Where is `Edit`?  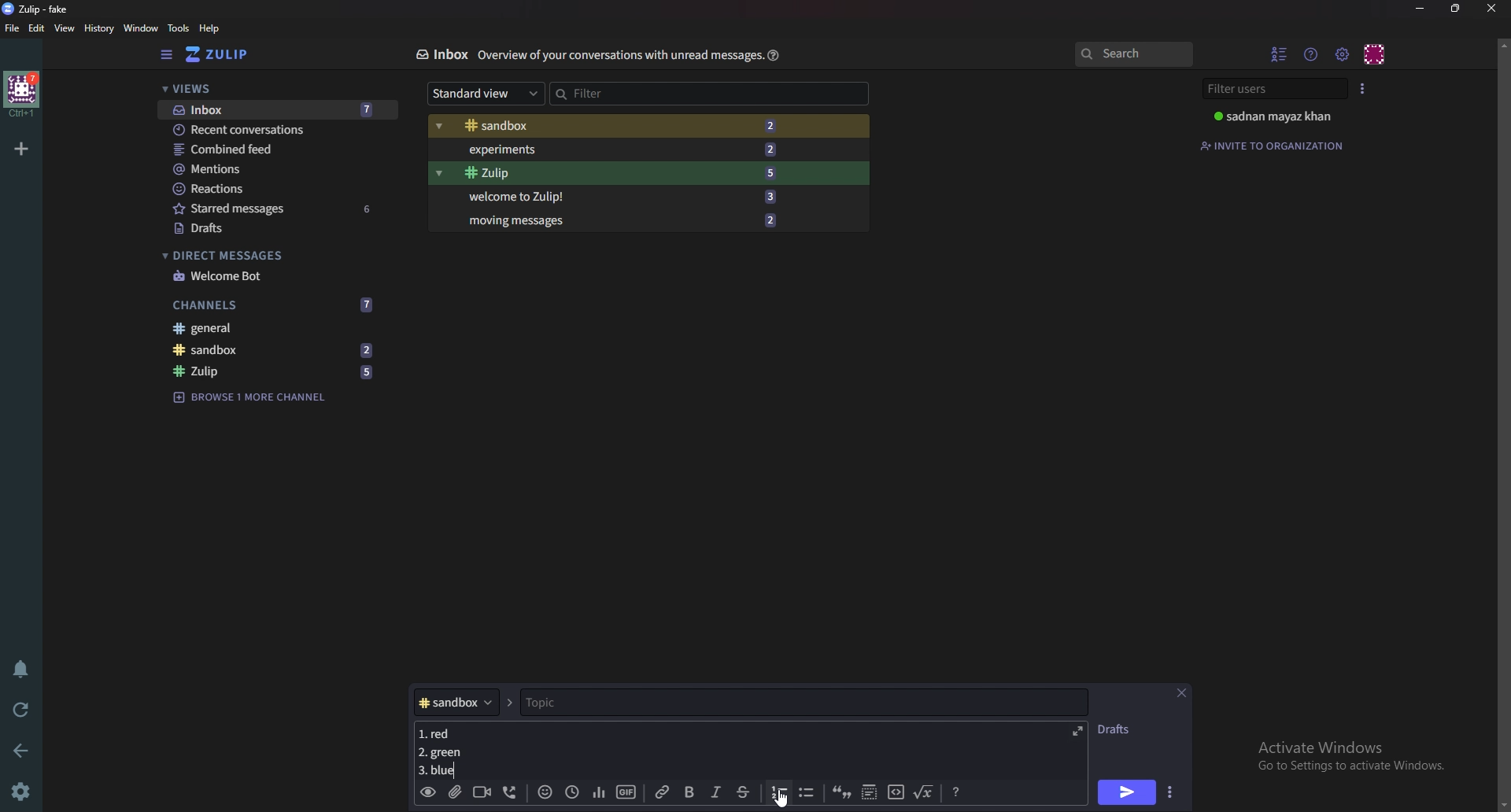
Edit is located at coordinates (38, 28).